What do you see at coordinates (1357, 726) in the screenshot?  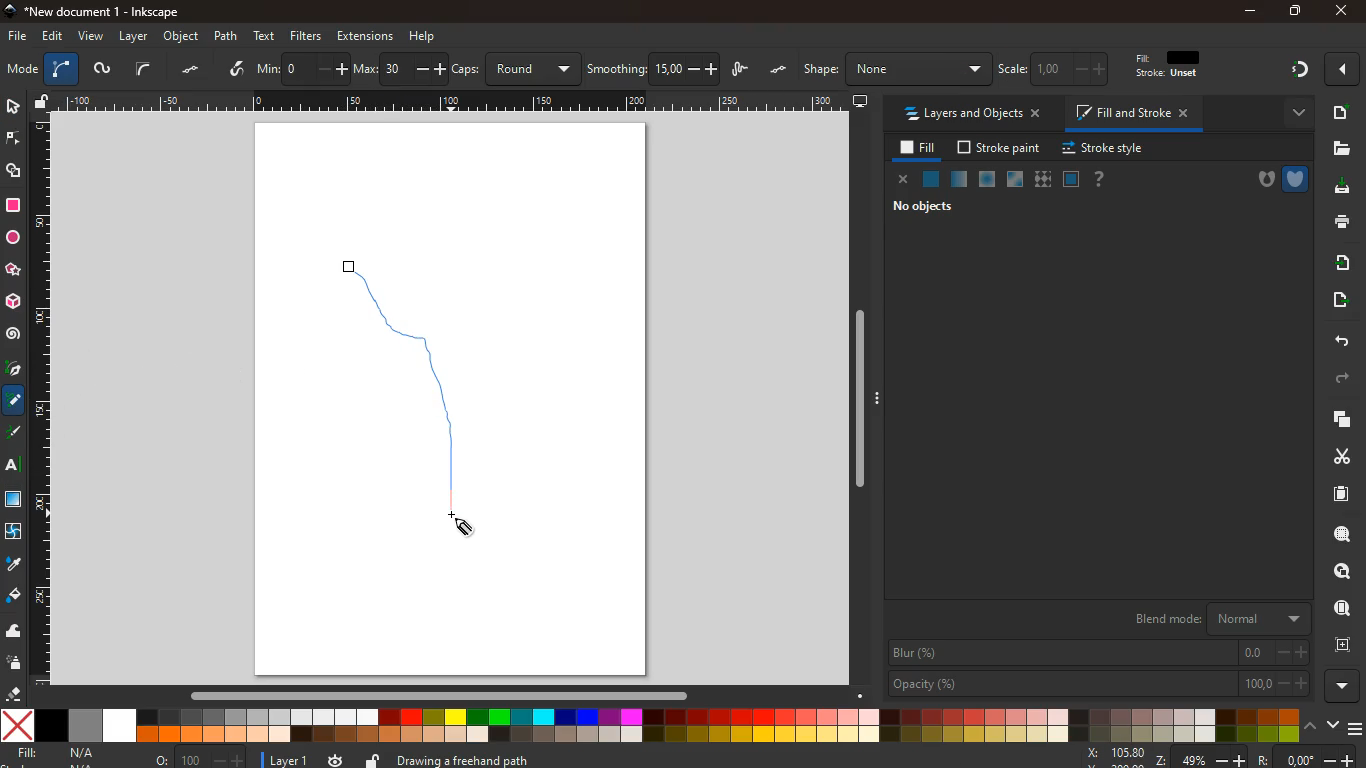 I see `menu` at bounding box center [1357, 726].